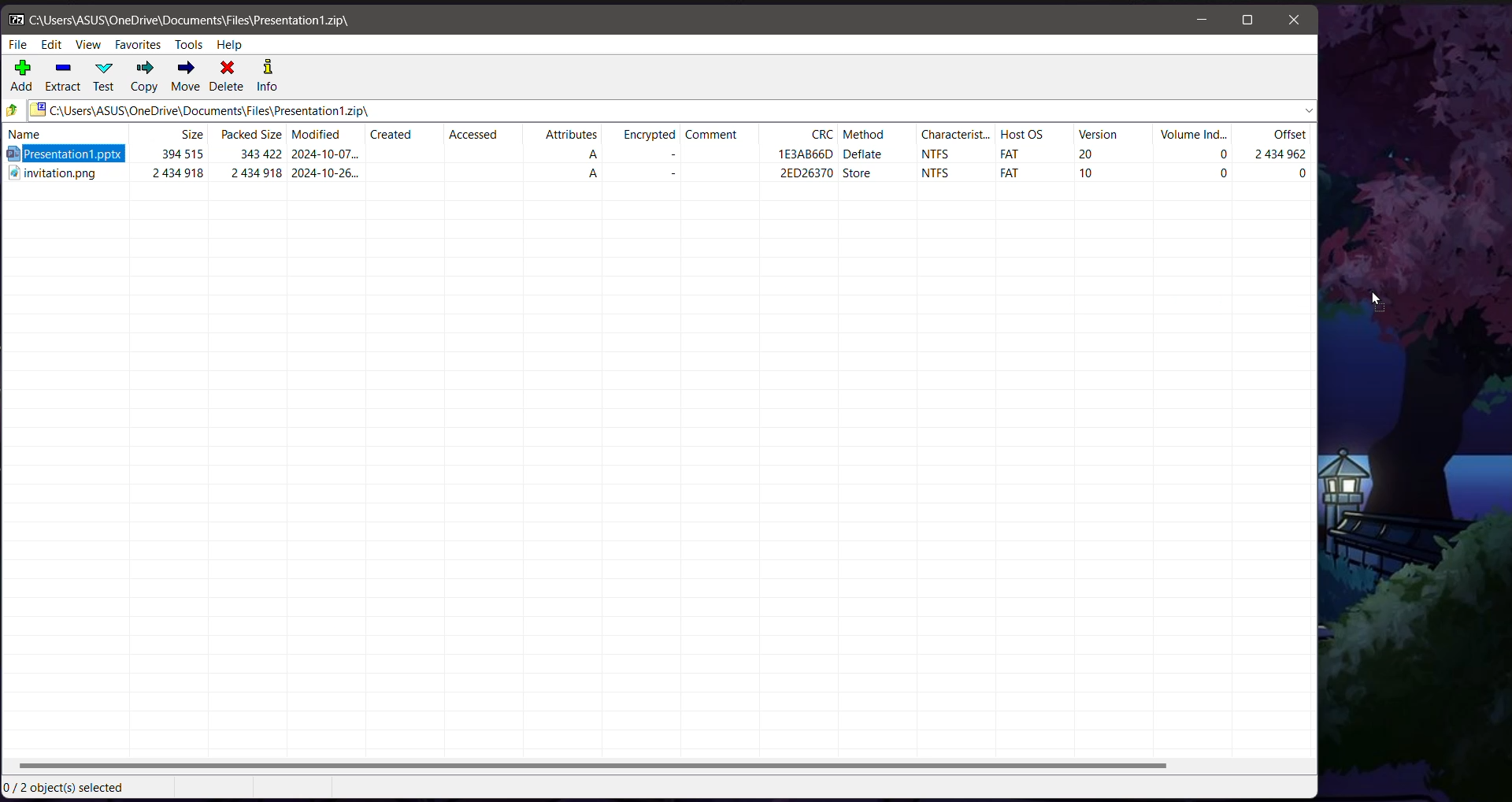 The width and height of the screenshot is (1512, 802). I want to click on Application Logo, so click(13, 20).